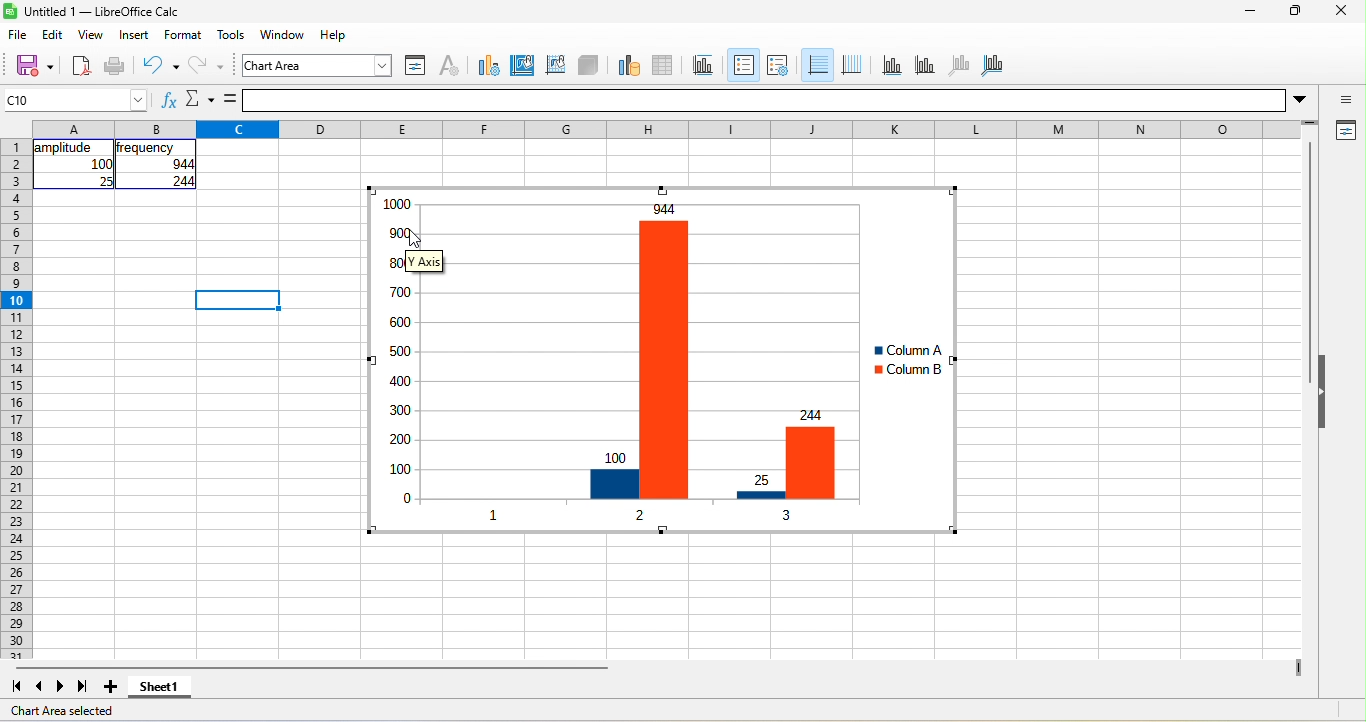  Describe the element at coordinates (1344, 132) in the screenshot. I see `properties` at that location.